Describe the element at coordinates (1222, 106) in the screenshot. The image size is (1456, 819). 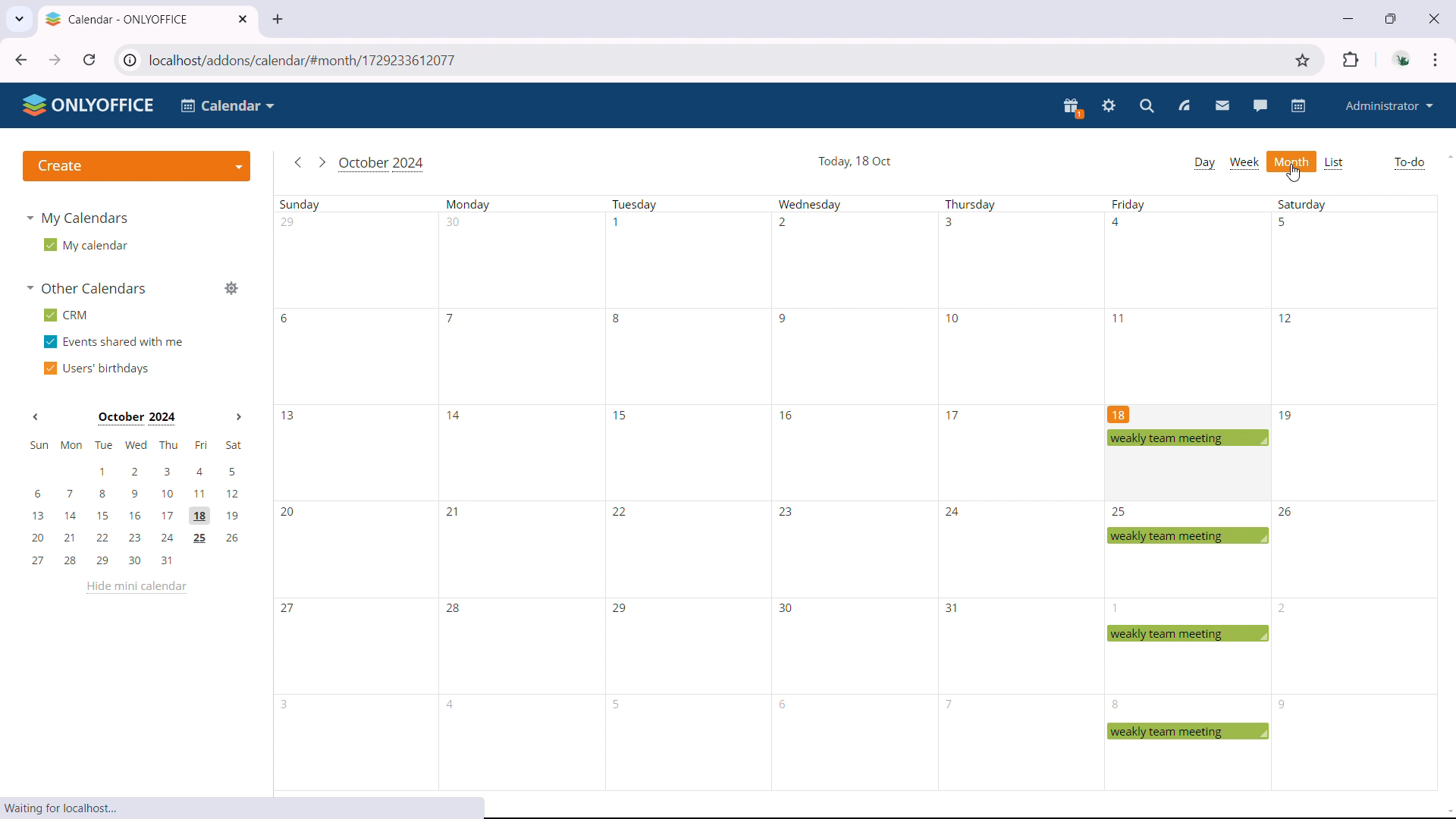
I see `mail` at that location.